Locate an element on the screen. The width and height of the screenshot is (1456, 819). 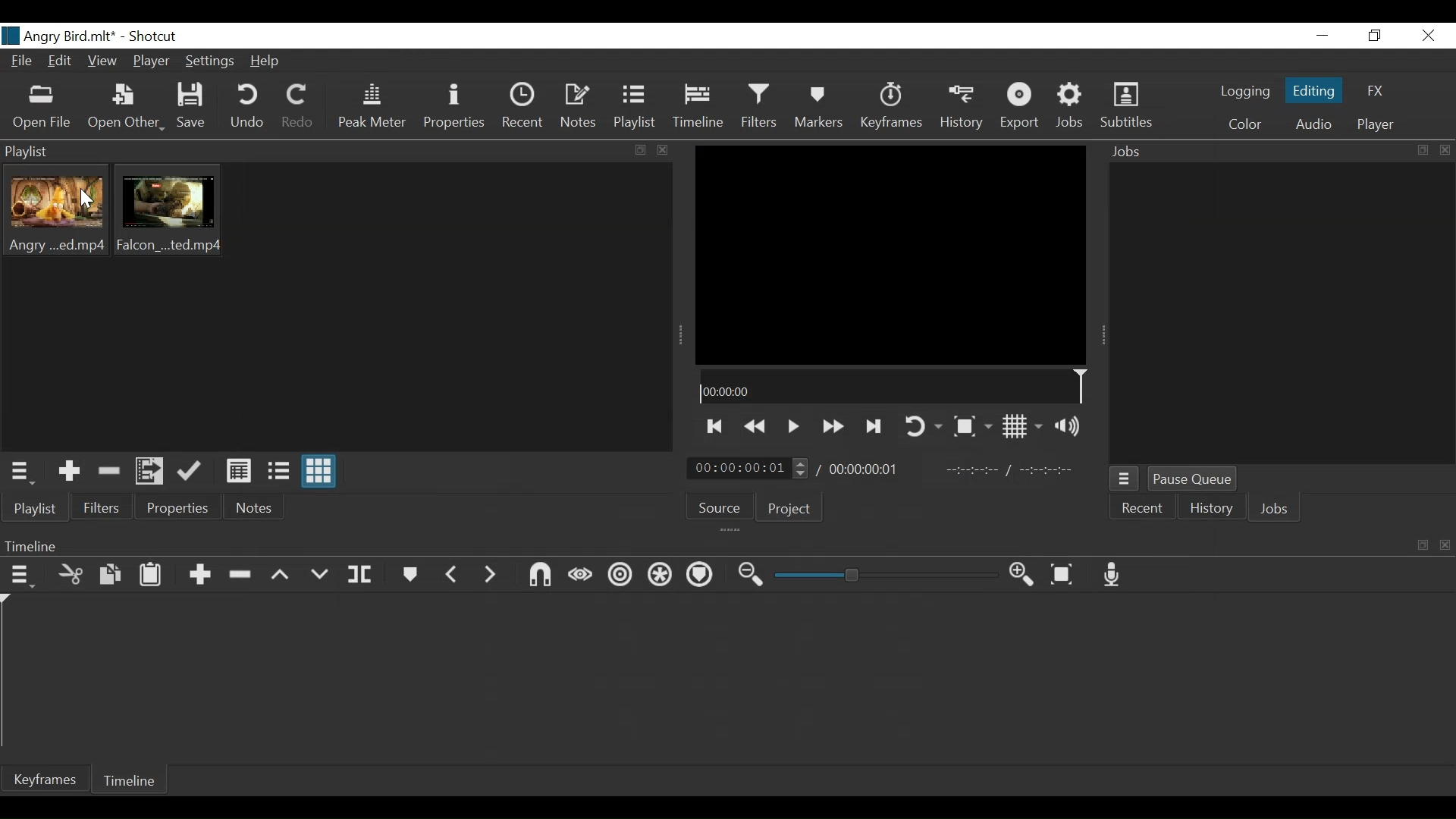
Jobs is located at coordinates (1278, 152).